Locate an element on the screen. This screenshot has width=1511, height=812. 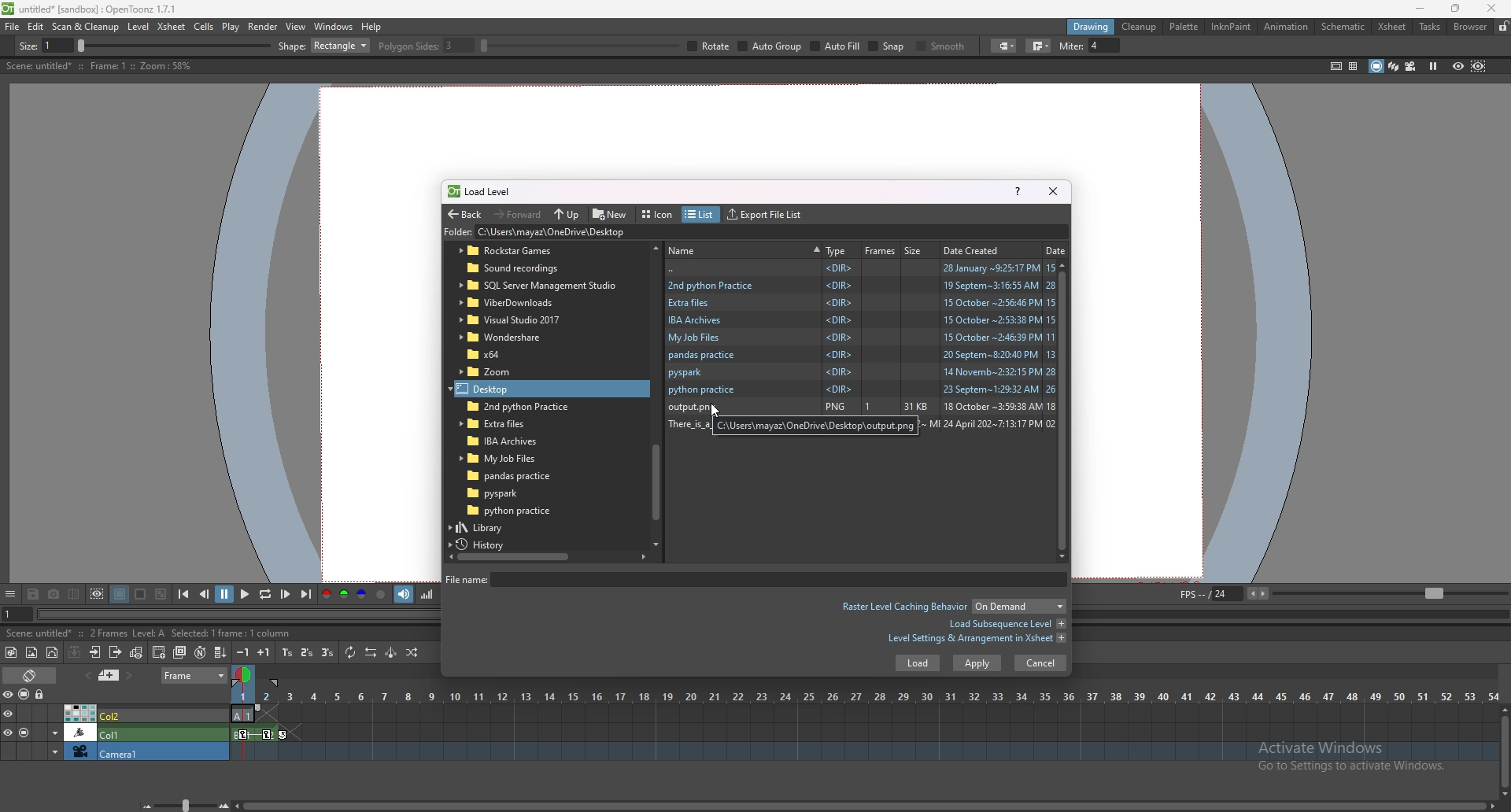
folder is located at coordinates (504, 439).